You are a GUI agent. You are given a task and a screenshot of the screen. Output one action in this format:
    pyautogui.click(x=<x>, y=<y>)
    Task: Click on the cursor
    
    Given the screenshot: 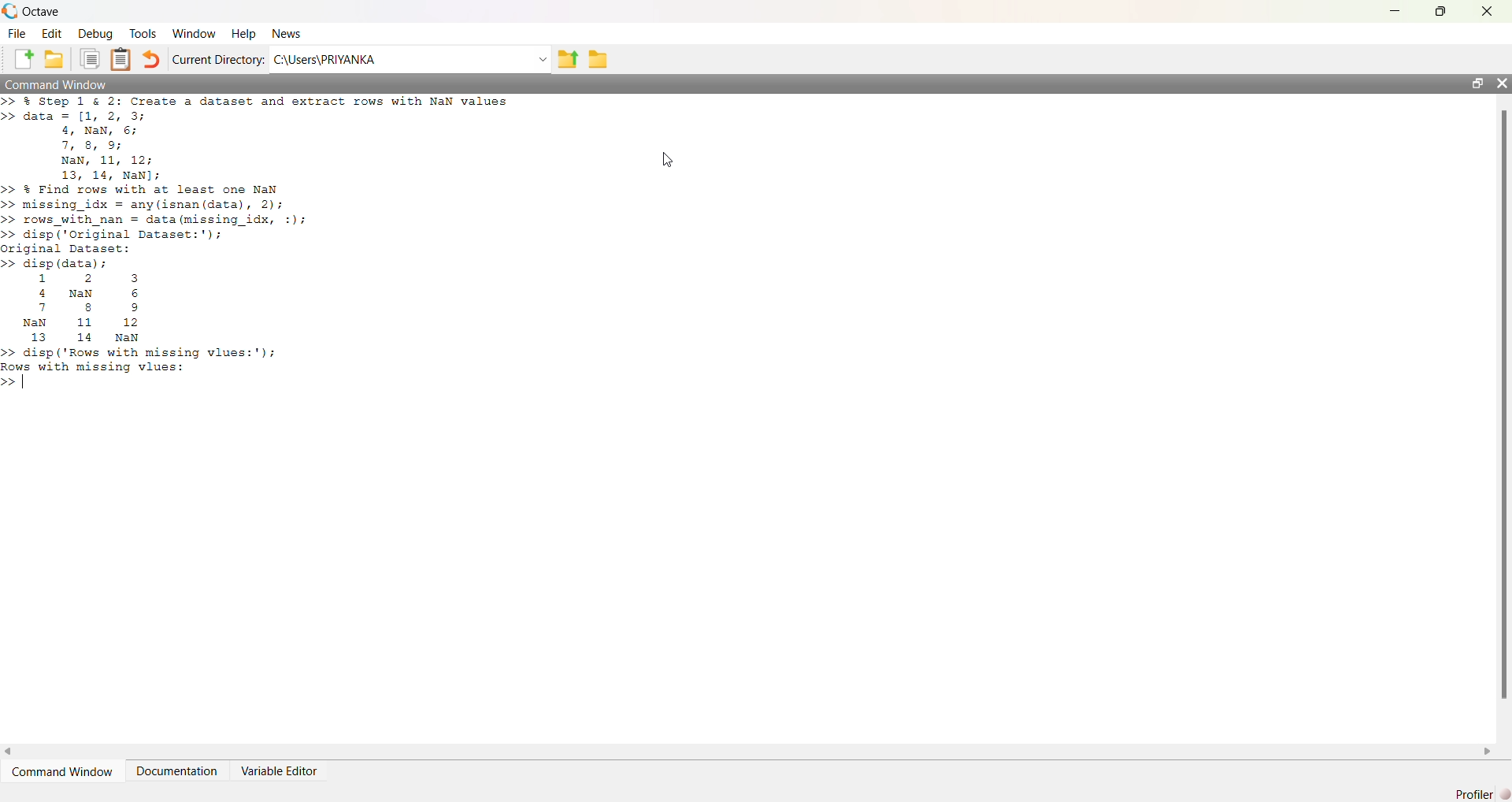 What is the action you would take?
    pyautogui.click(x=669, y=160)
    